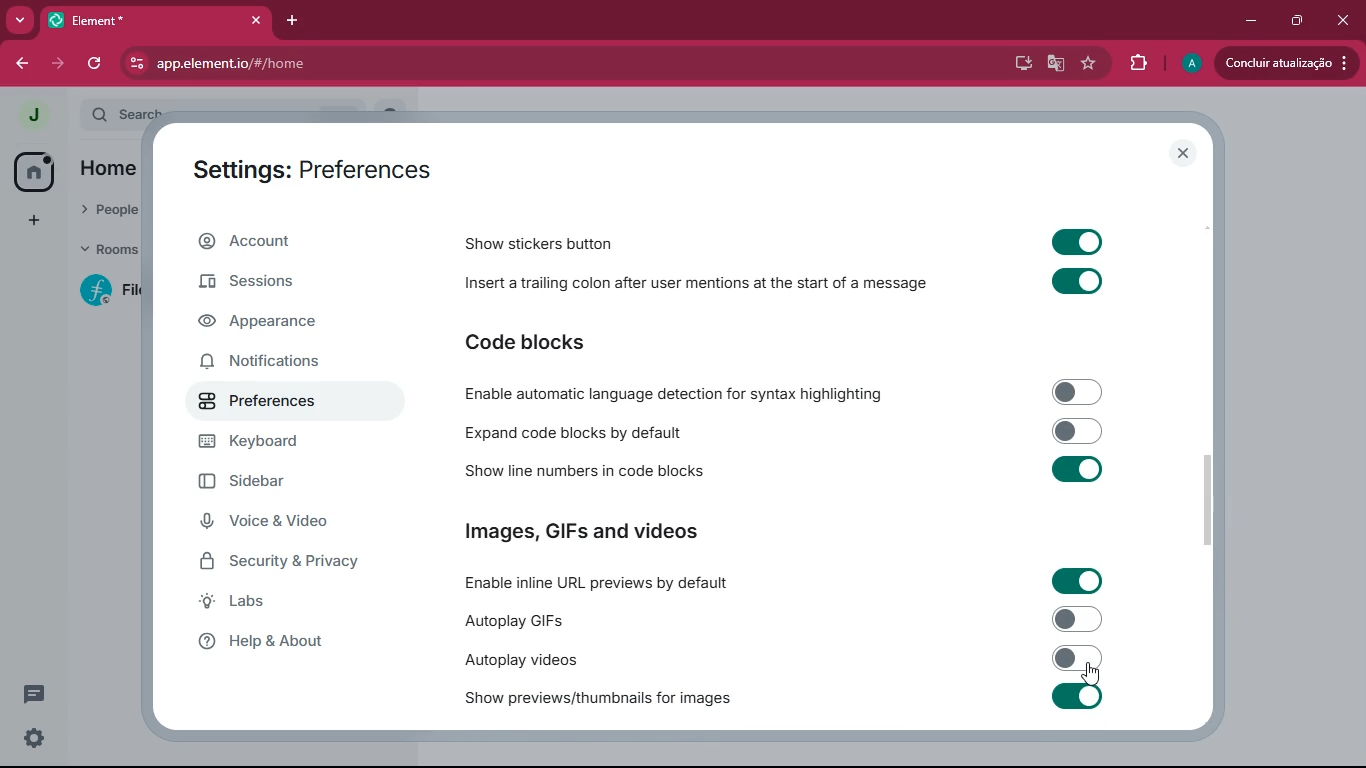 Image resolution: width=1366 pixels, height=768 pixels. What do you see at coordinates (1077, 581) in the screenshot?
I see `` at bounding box center [1077, 581].